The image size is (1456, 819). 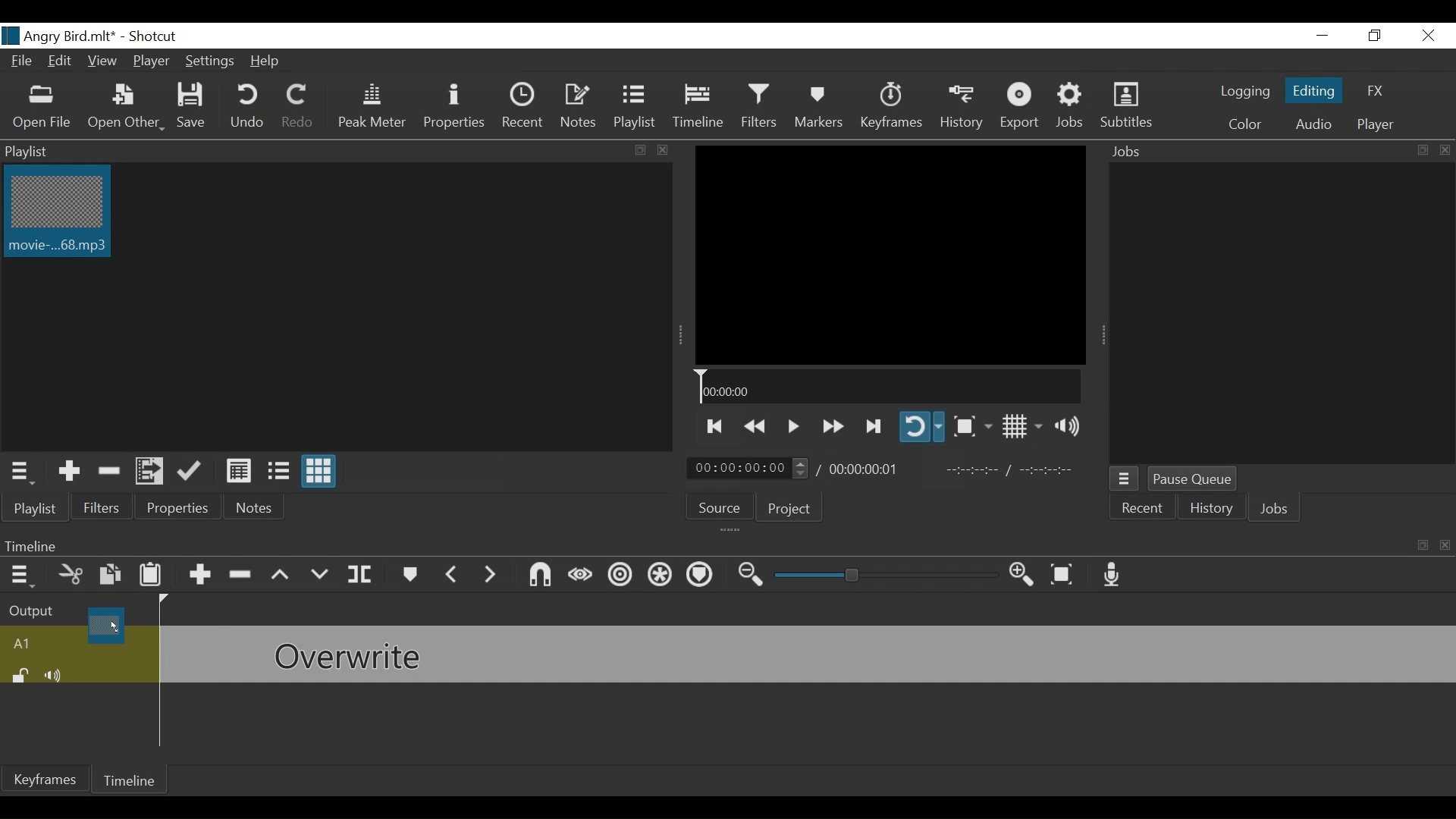 What do you see at coordinates (152, 472) in the screenshot?
I see `Add file to the playlist` at bounding box center [152, 472].